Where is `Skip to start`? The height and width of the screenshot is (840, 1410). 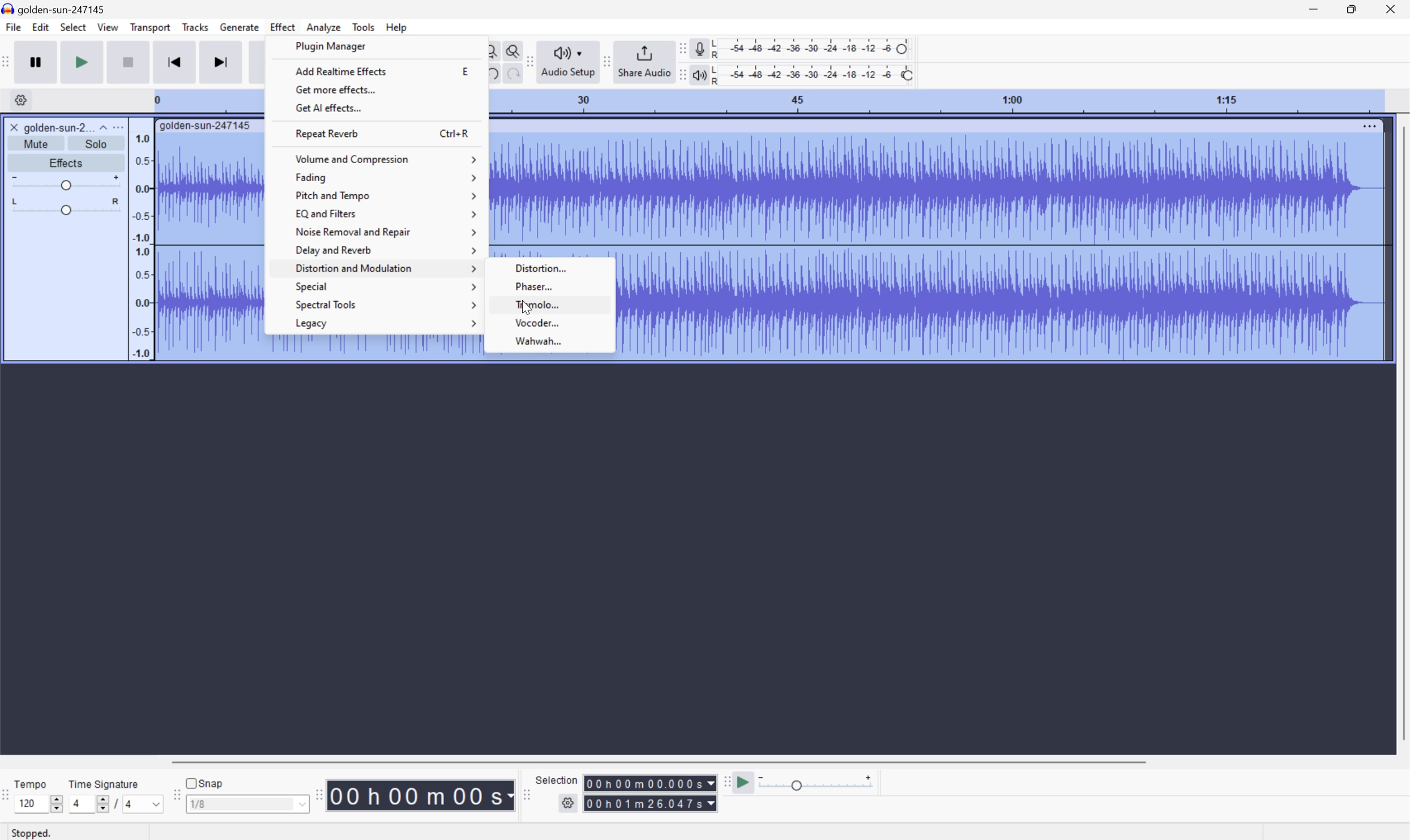 Skip to start is located at coordinates (174, 62).